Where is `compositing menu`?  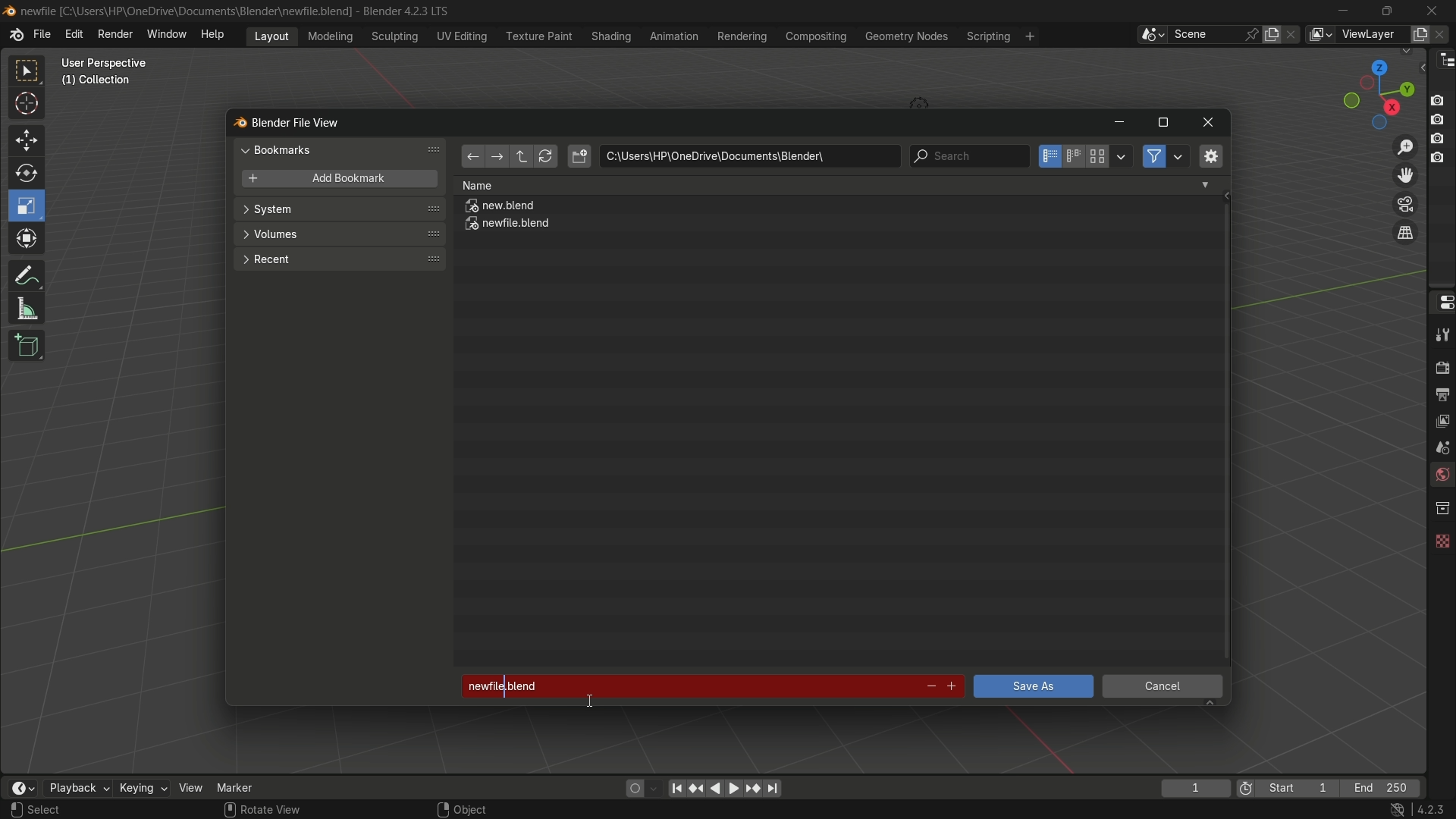
compositing menu is located at coordinates (817, 36).